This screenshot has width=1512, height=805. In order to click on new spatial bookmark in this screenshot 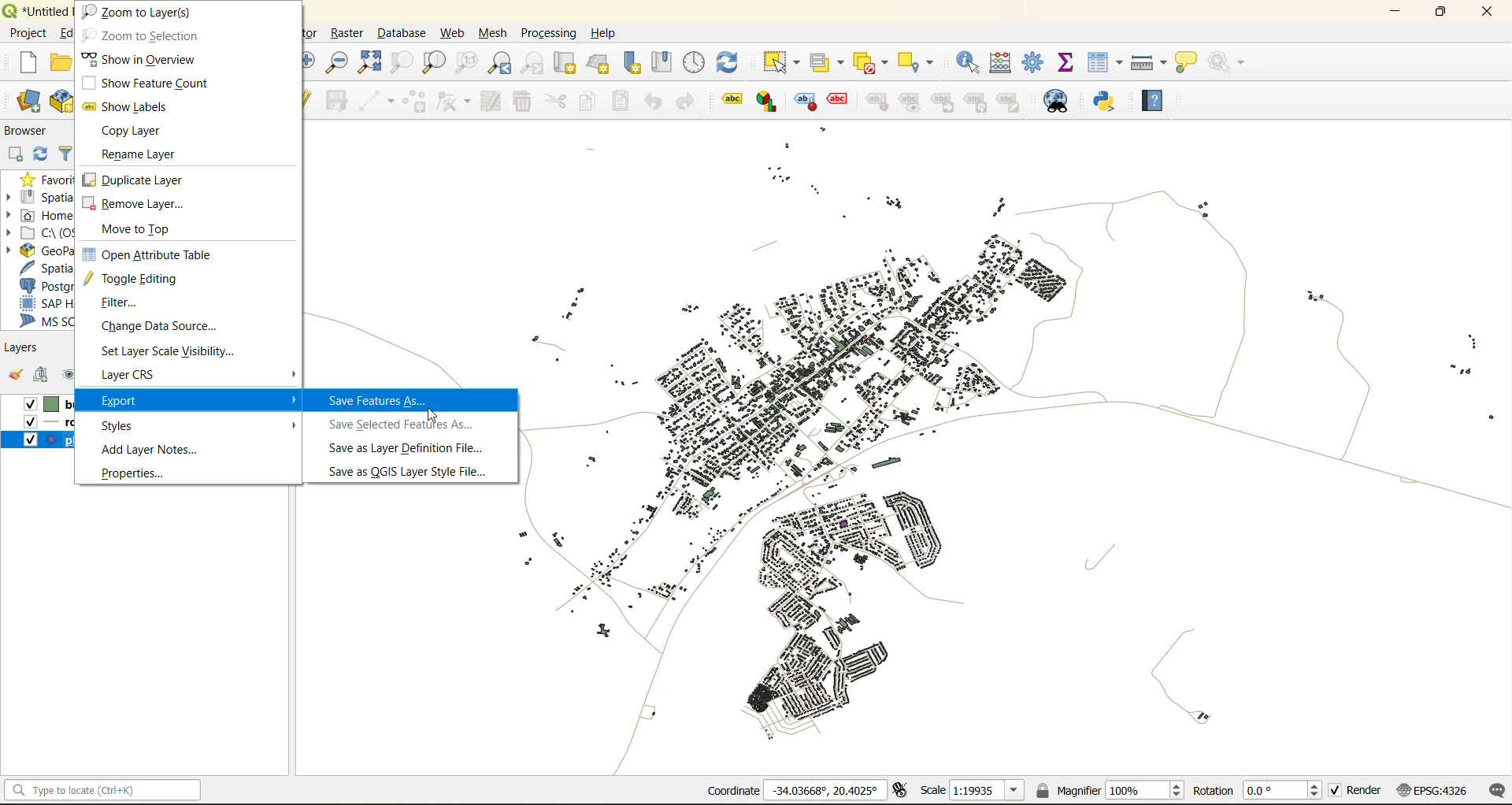, I will do `click(637, 63)`.